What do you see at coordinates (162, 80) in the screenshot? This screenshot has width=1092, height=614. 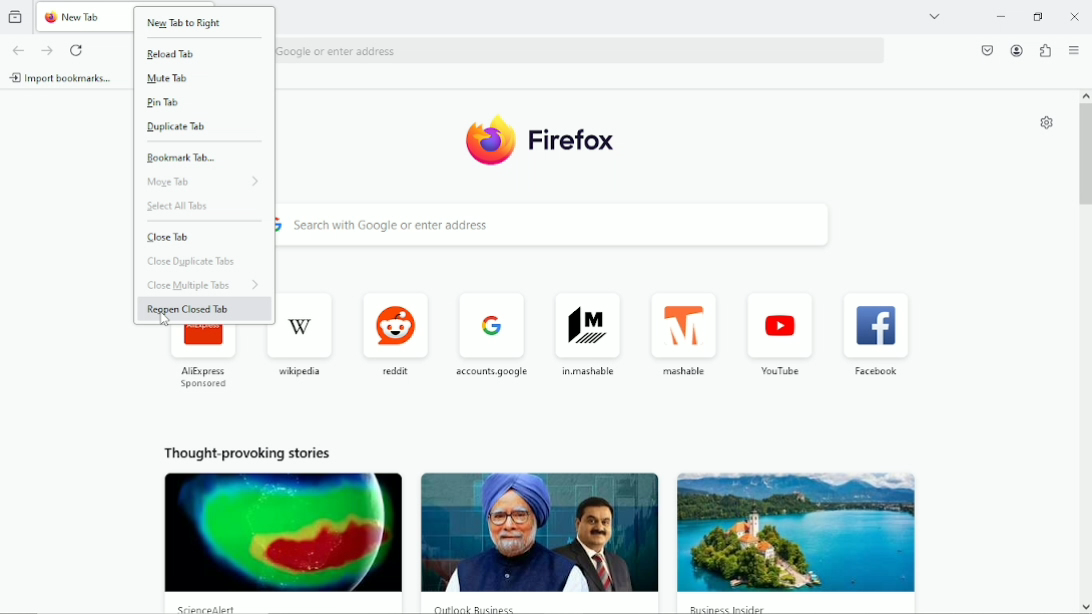 I see `mute tab` at bounding box center [162, 80].